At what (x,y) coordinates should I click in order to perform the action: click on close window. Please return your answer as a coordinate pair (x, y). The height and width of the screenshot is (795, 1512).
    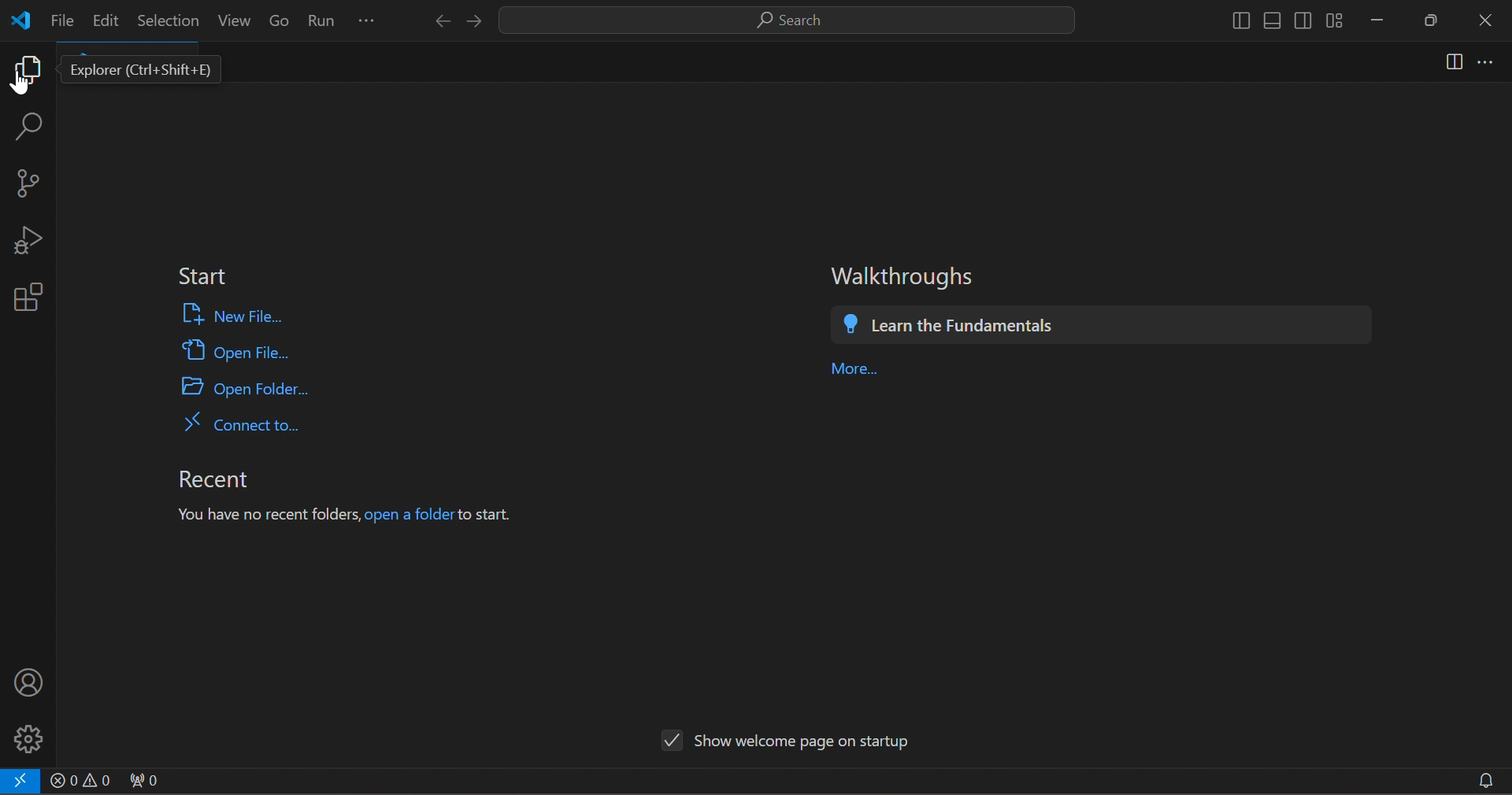
    Looking at the image, I should click on (1485, 17).